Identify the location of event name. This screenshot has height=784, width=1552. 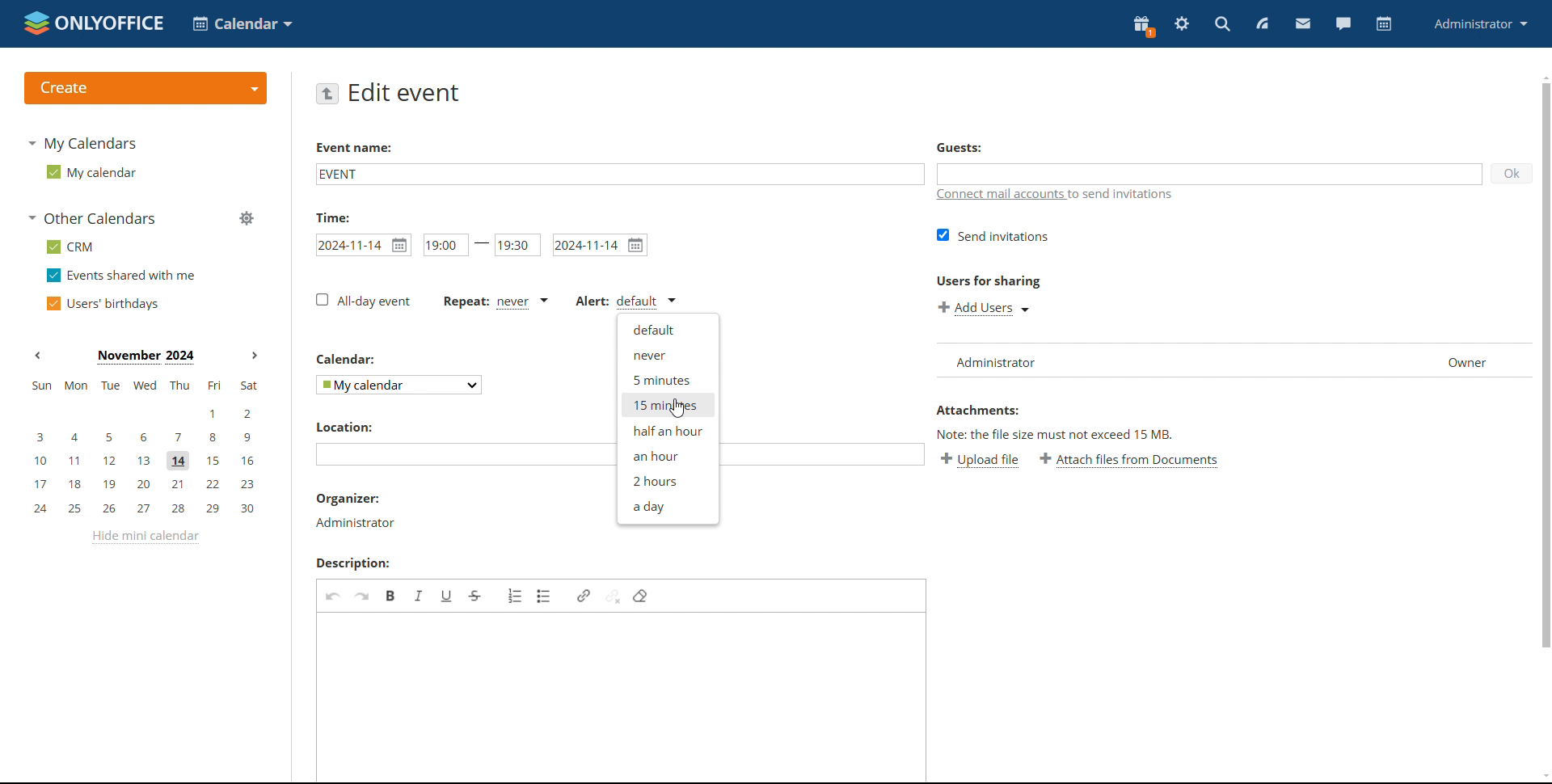
(353, 150).